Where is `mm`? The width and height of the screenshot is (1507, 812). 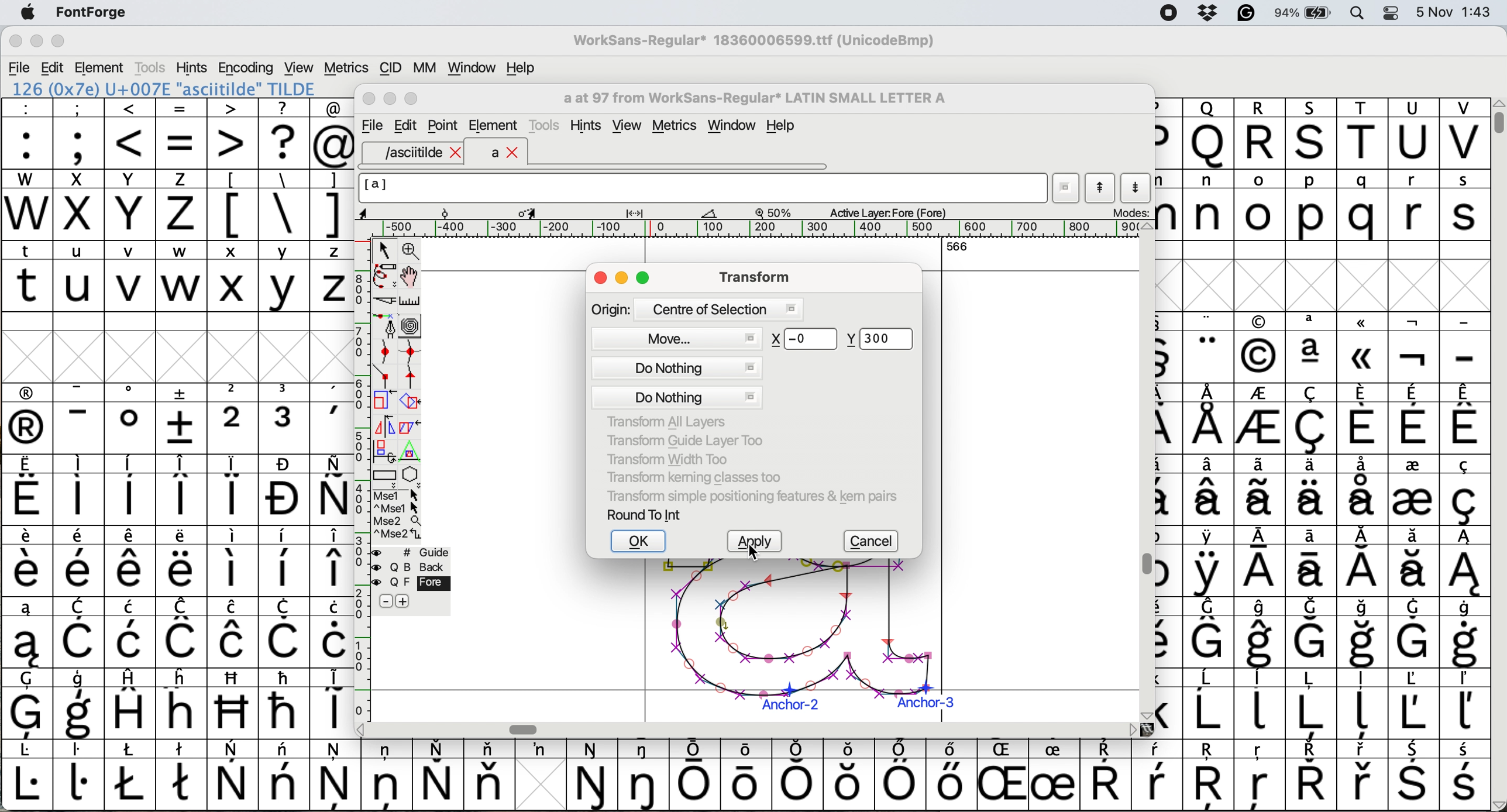 mm is located at coordinates (424, 67).